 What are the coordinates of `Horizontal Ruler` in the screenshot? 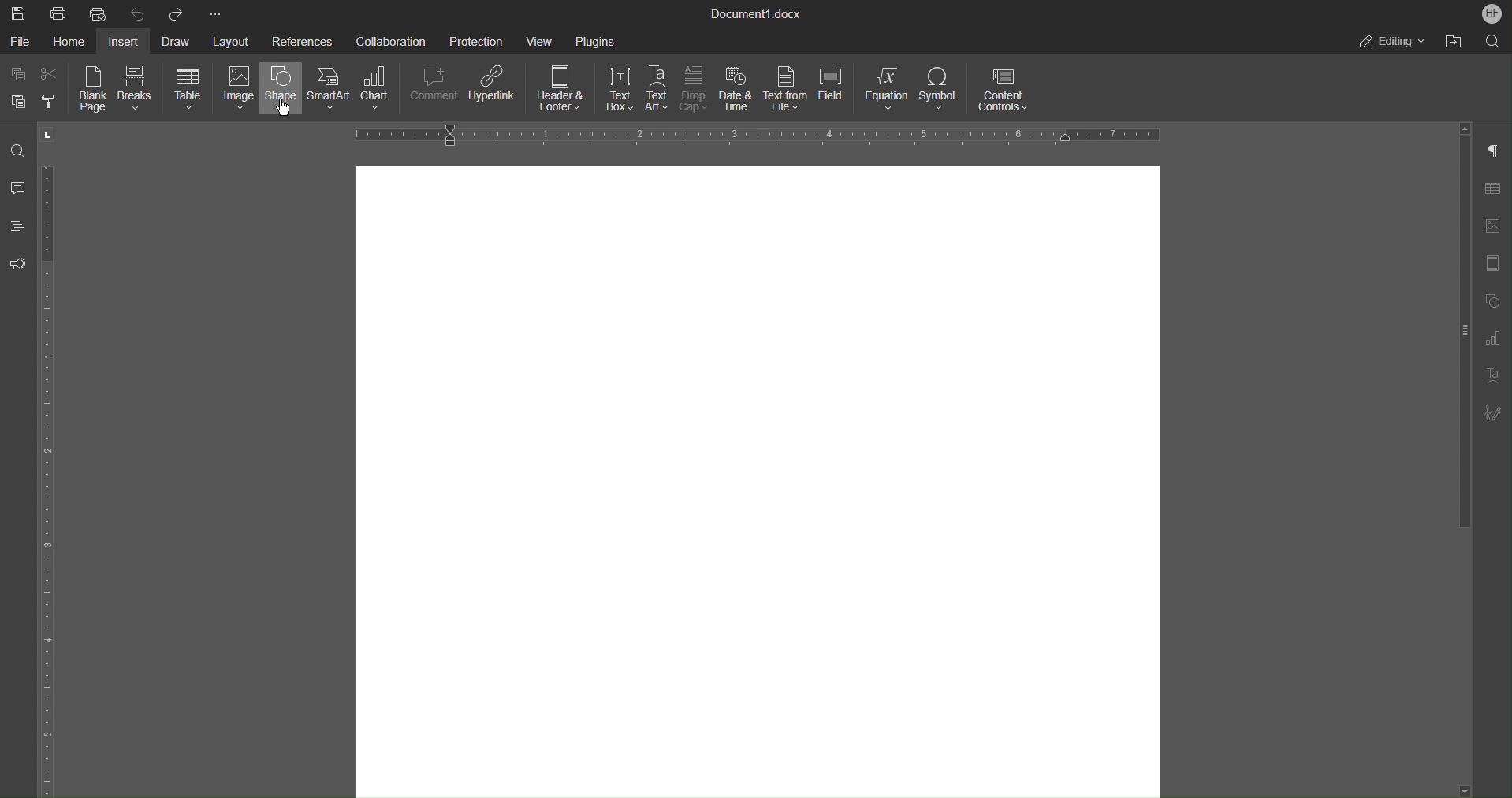 It's located at (54, 480).